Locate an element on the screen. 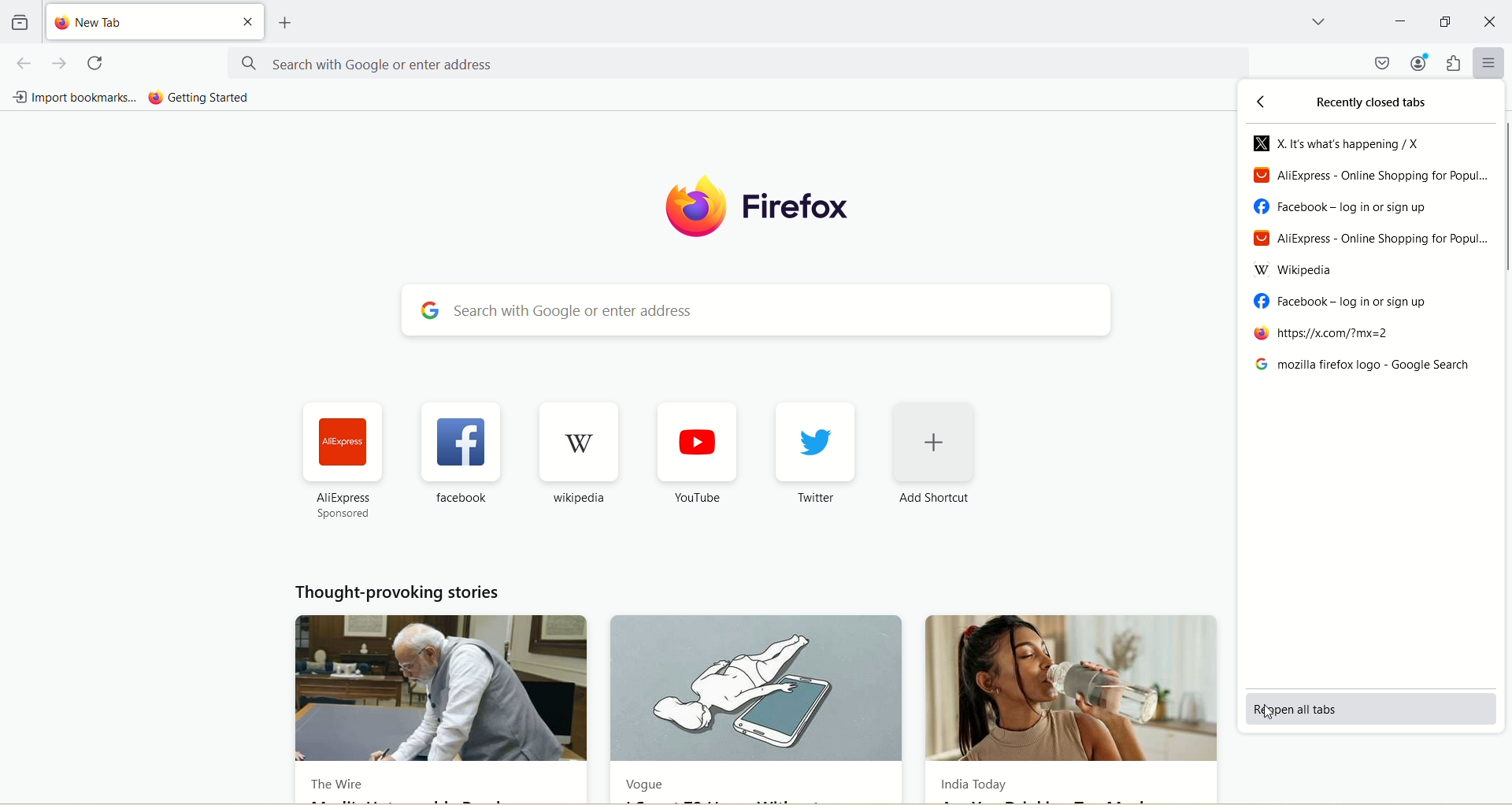  Twitter is located at coordinates (814, 498).